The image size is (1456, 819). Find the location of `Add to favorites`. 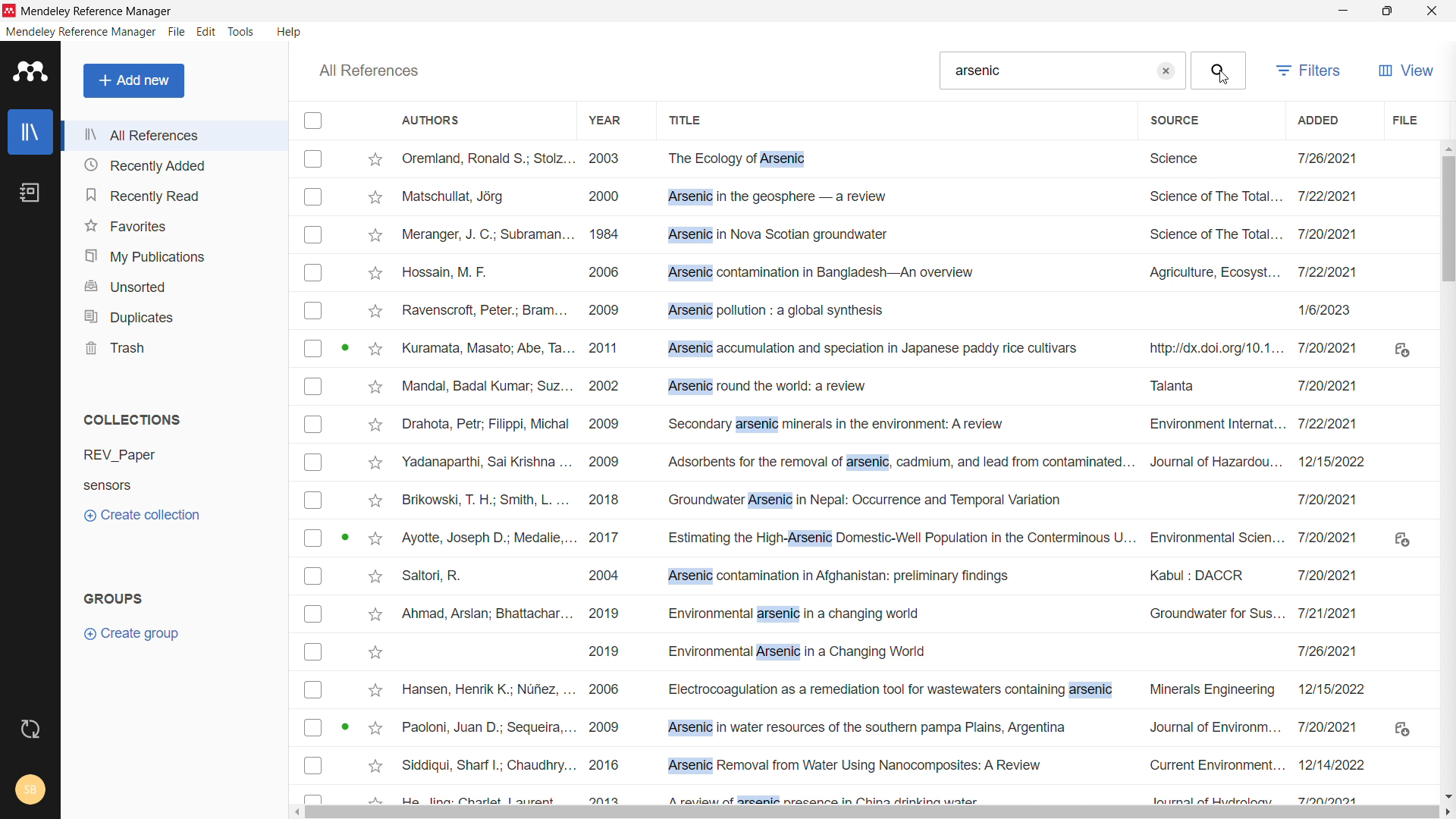

Add to favorites is located at coordinates (373, 232).